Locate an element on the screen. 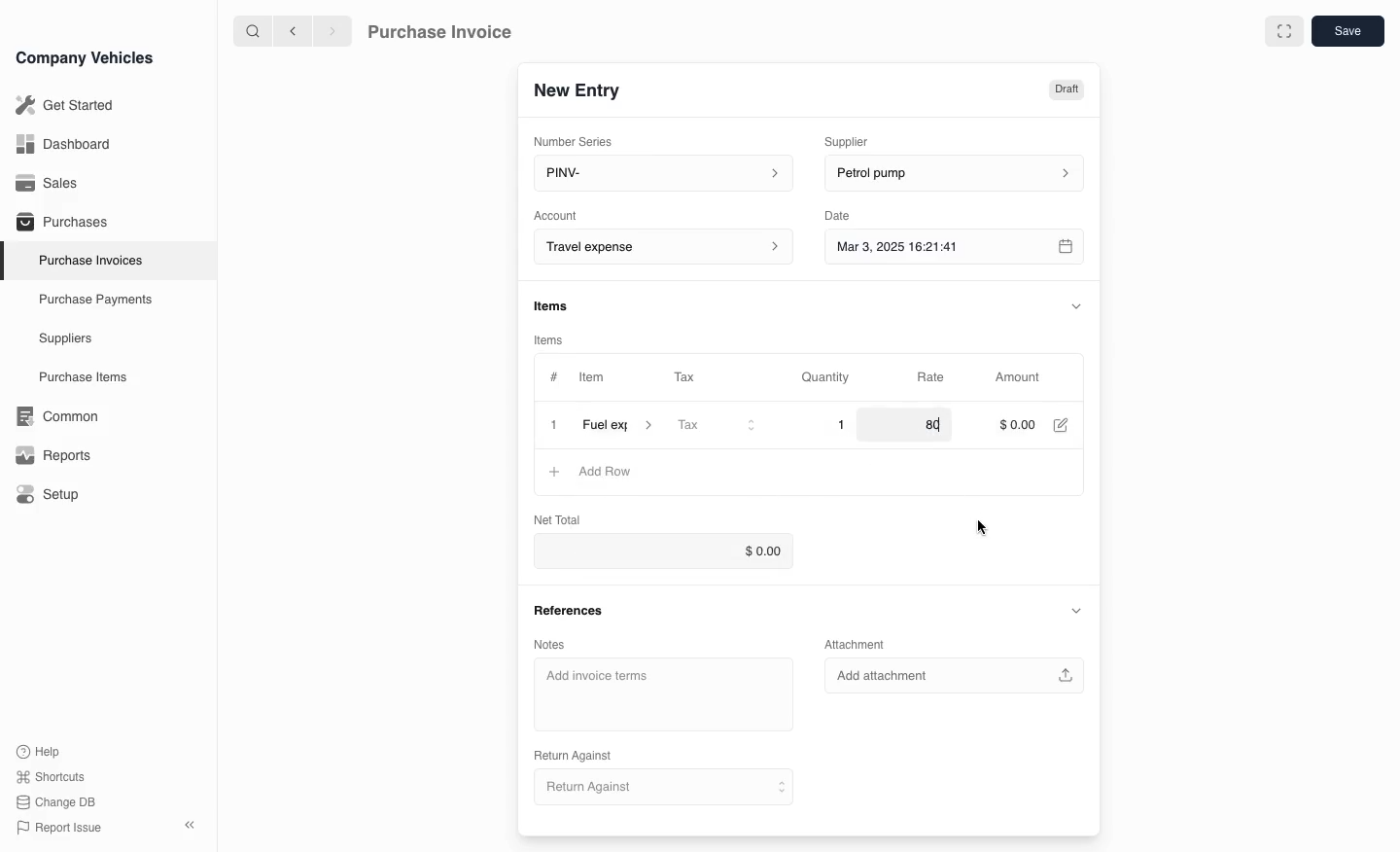 Image resolution: width=1400 pixels, height=852 pixels. Return Against is located at coordinates (579, 754).